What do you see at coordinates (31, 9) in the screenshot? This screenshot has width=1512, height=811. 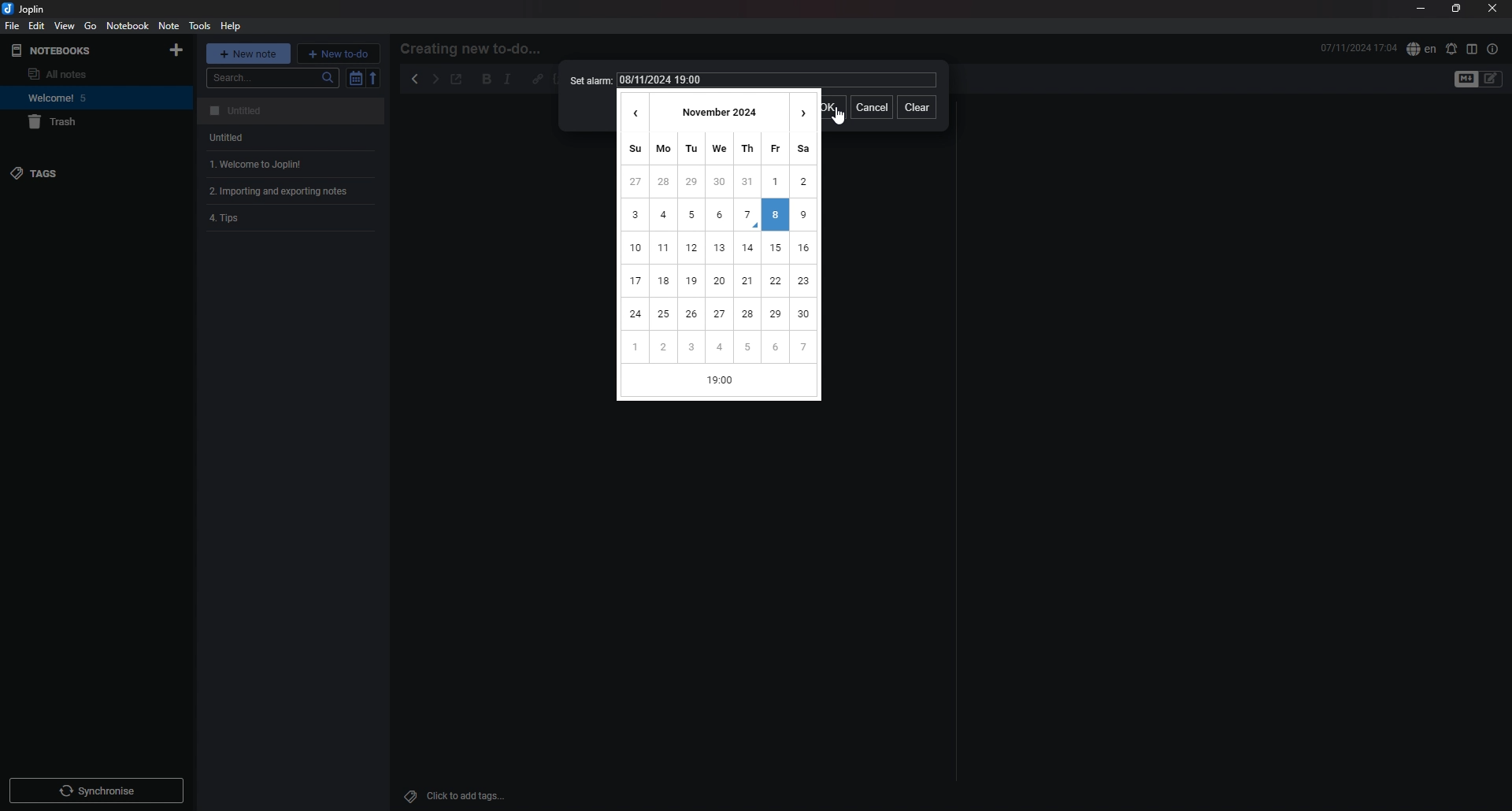 I see `joplin` at bounding box center [31, 9].